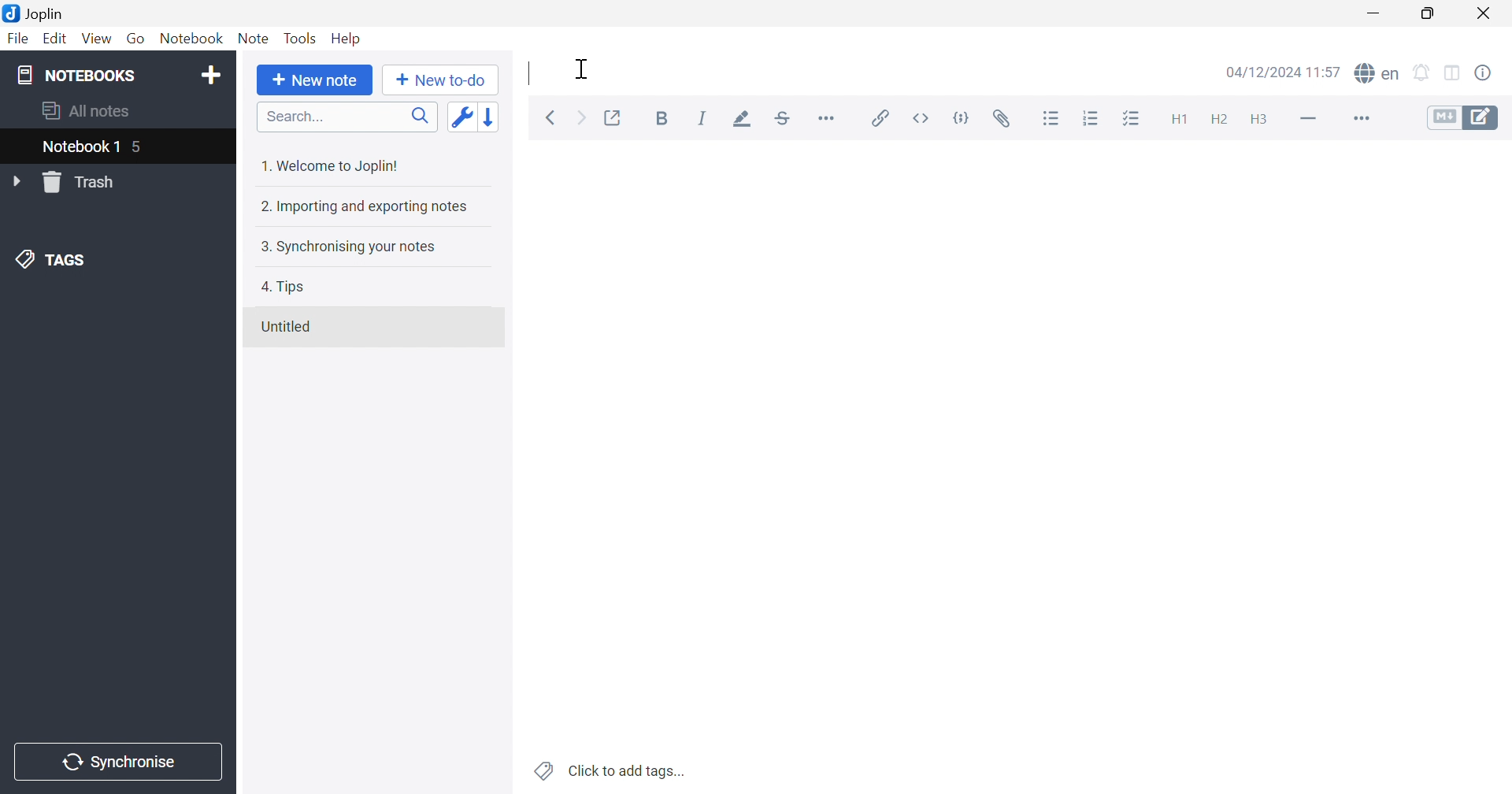  I want to click on Click to add tags..., so click(609, 770).